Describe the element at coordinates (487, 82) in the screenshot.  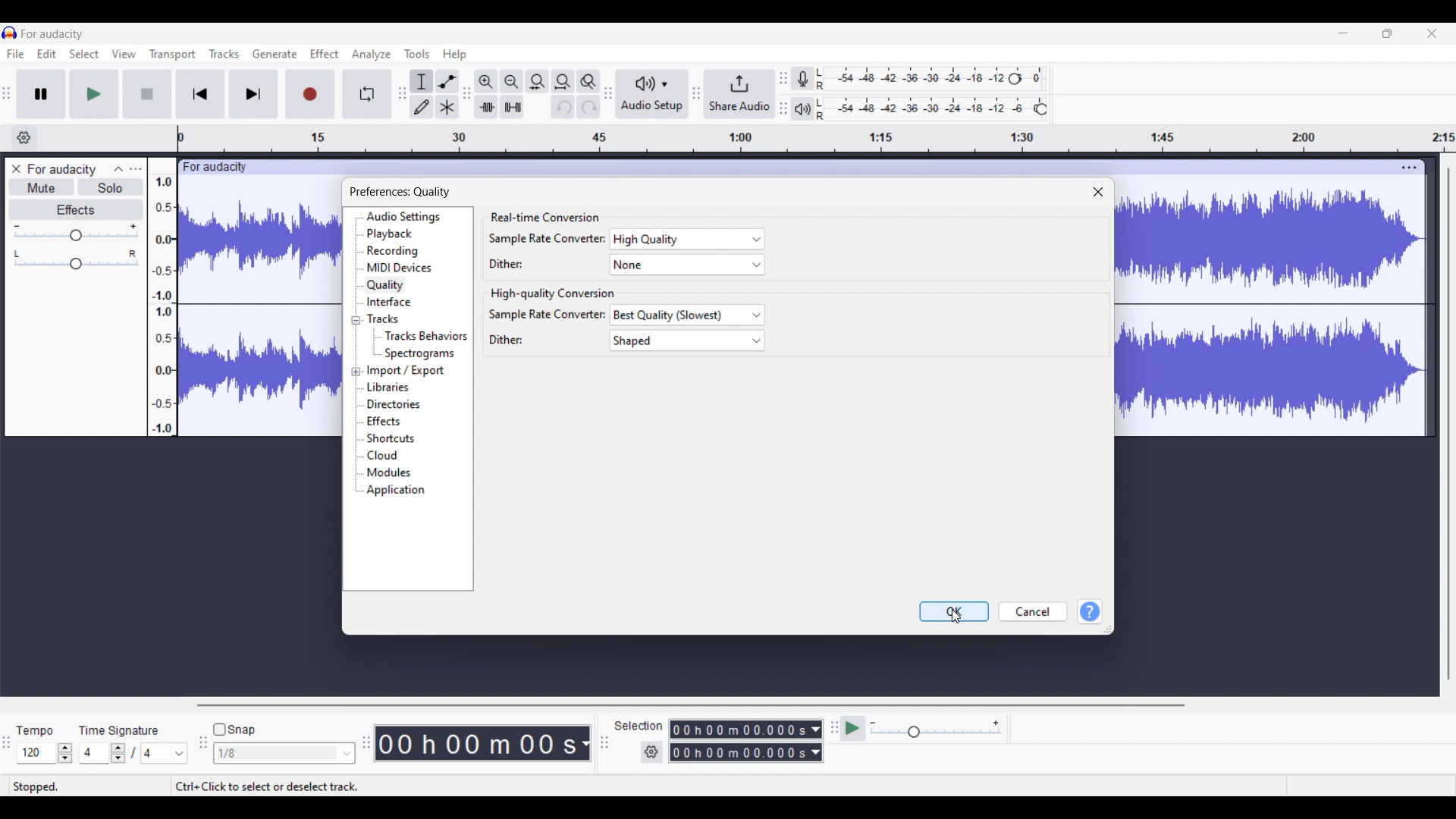
I see `Zoom in` at that location.